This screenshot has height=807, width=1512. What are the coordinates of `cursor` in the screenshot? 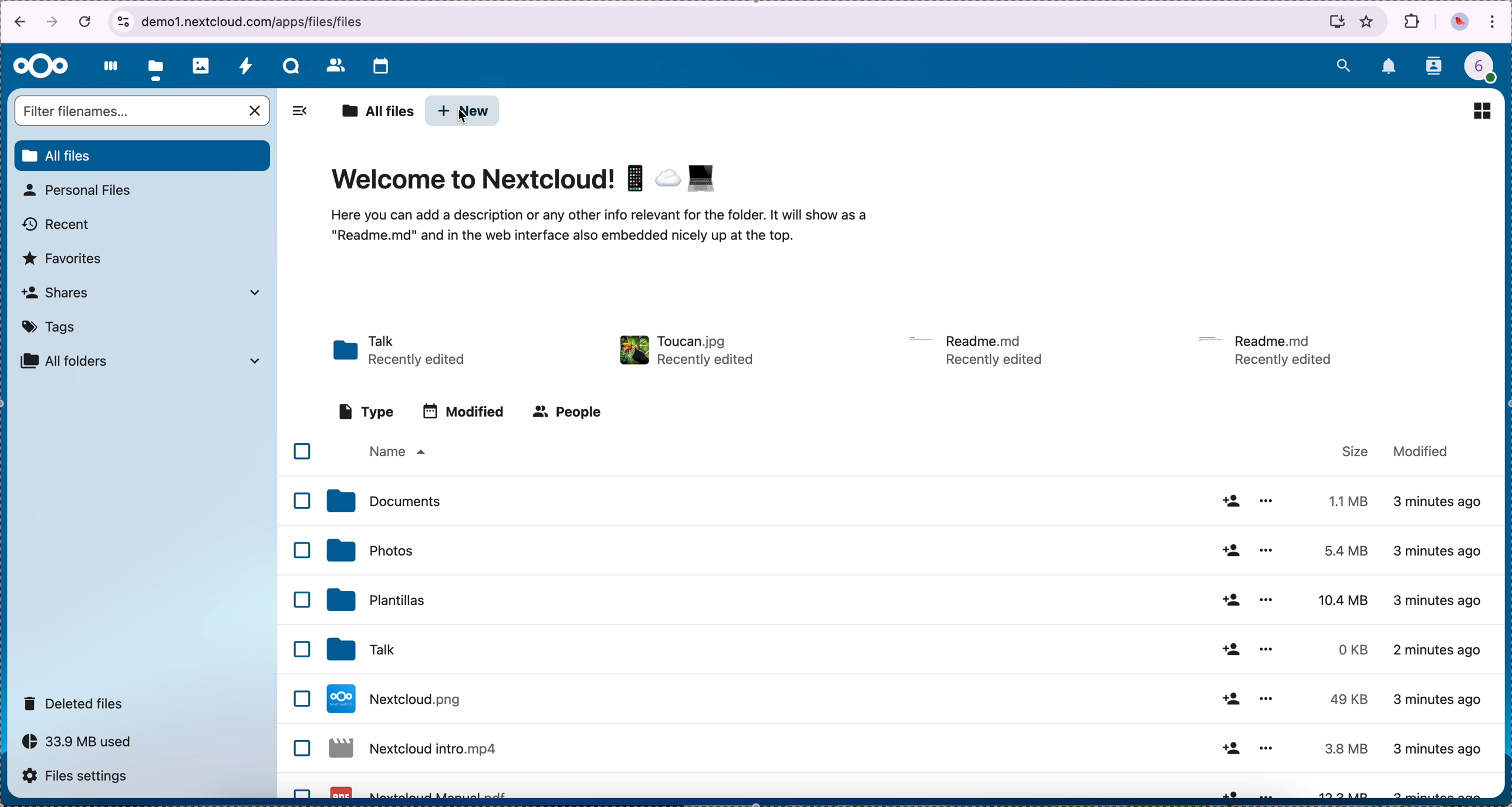 It's located at (461, 116).